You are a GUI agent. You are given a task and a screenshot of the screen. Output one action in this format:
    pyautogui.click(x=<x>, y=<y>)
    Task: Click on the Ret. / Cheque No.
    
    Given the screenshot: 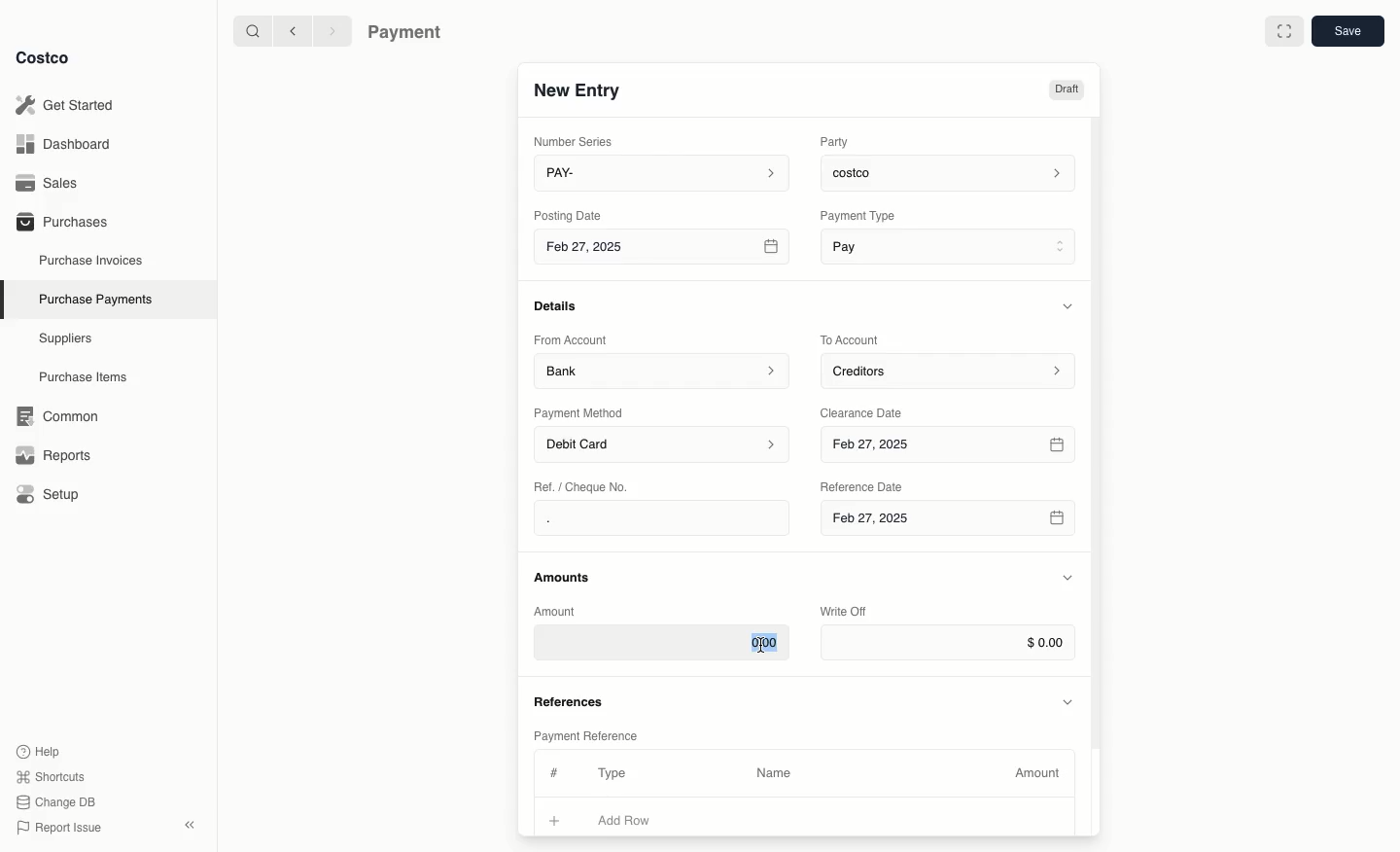 What is the action you would take?
    pyautogui.click(x=583, y=485)
    